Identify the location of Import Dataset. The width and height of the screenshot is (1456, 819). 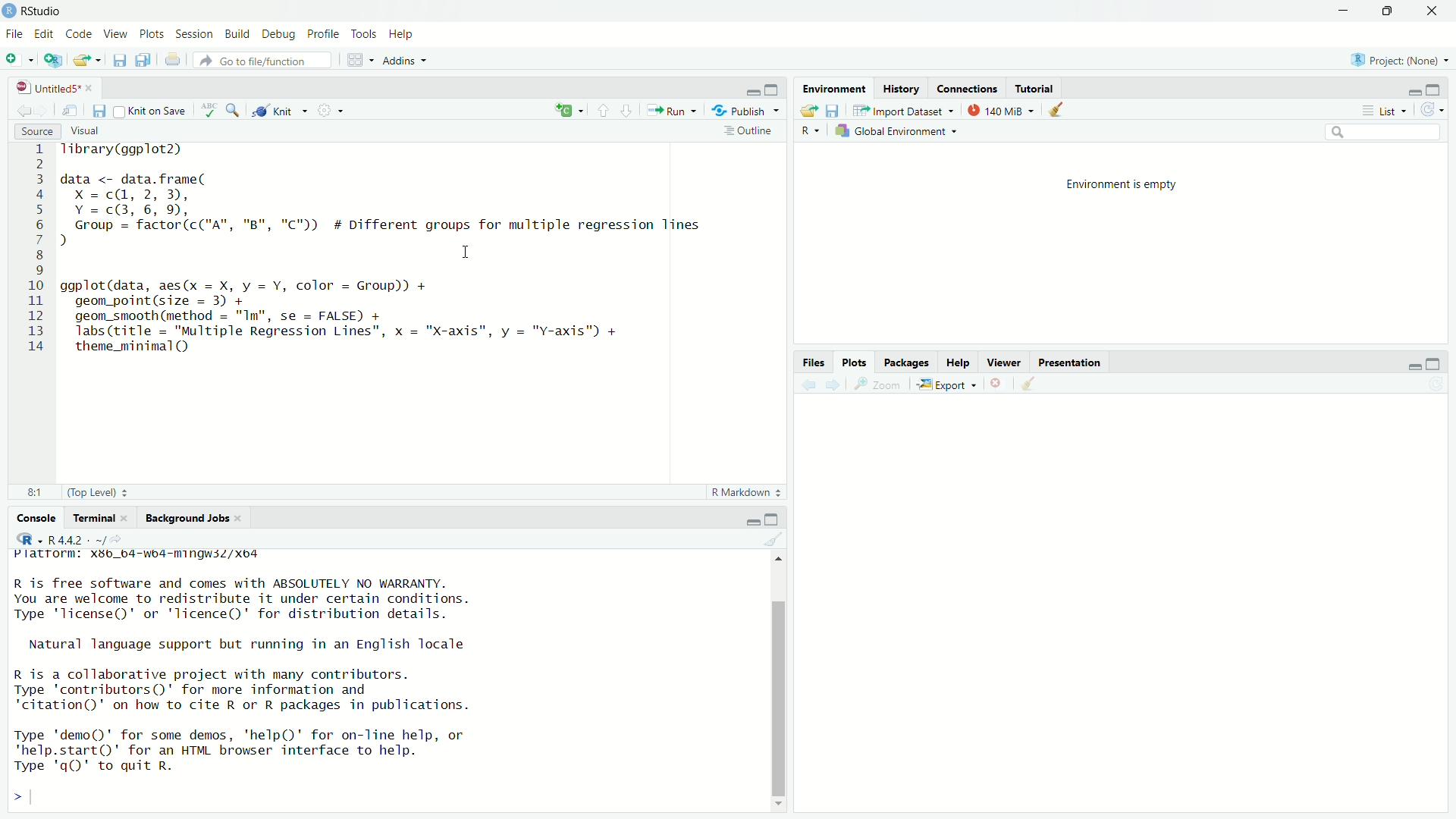
(900, 110).